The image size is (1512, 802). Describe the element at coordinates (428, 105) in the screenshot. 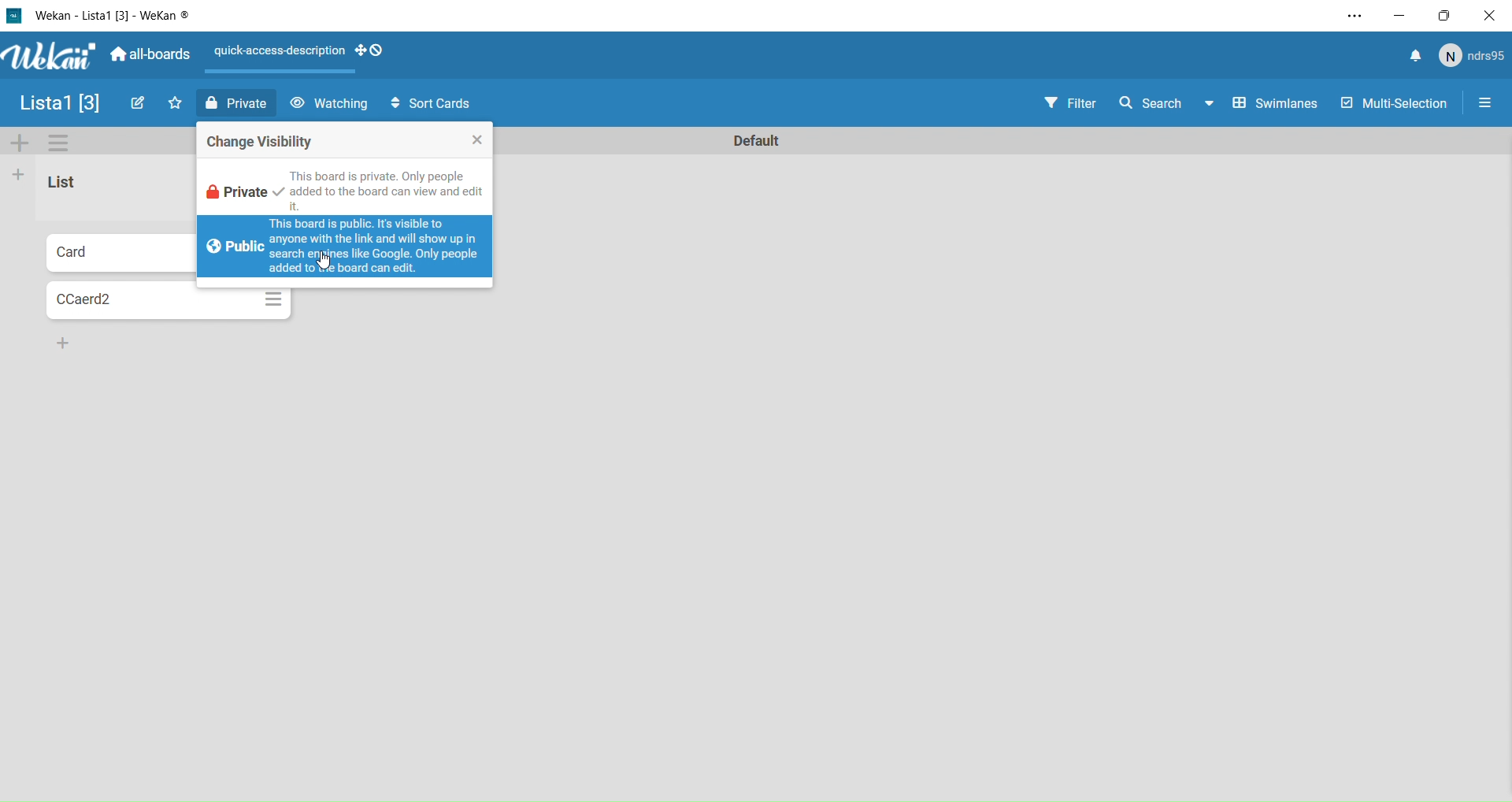

I see `Sort Cards` at that location.